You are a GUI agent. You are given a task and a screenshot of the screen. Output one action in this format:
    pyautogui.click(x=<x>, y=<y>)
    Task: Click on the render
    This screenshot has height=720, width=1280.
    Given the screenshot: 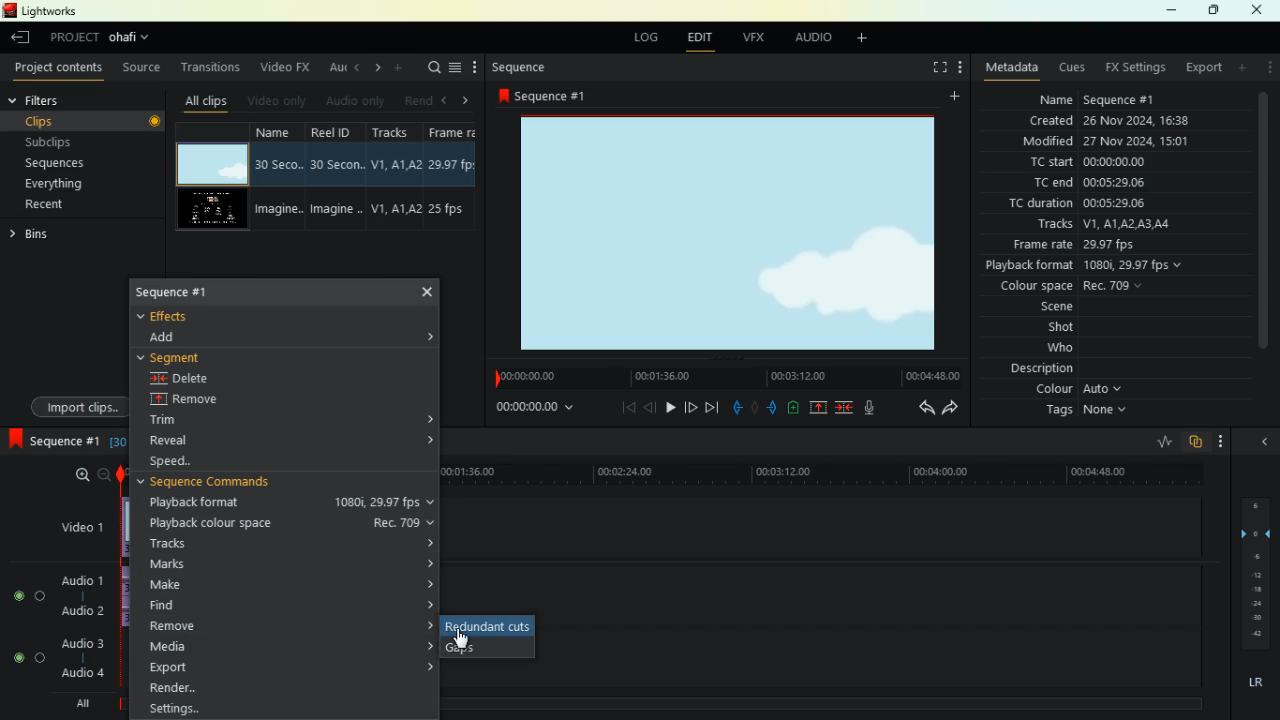 What is the action you would take?
    pyautogui.click(x=287, y=691)
    